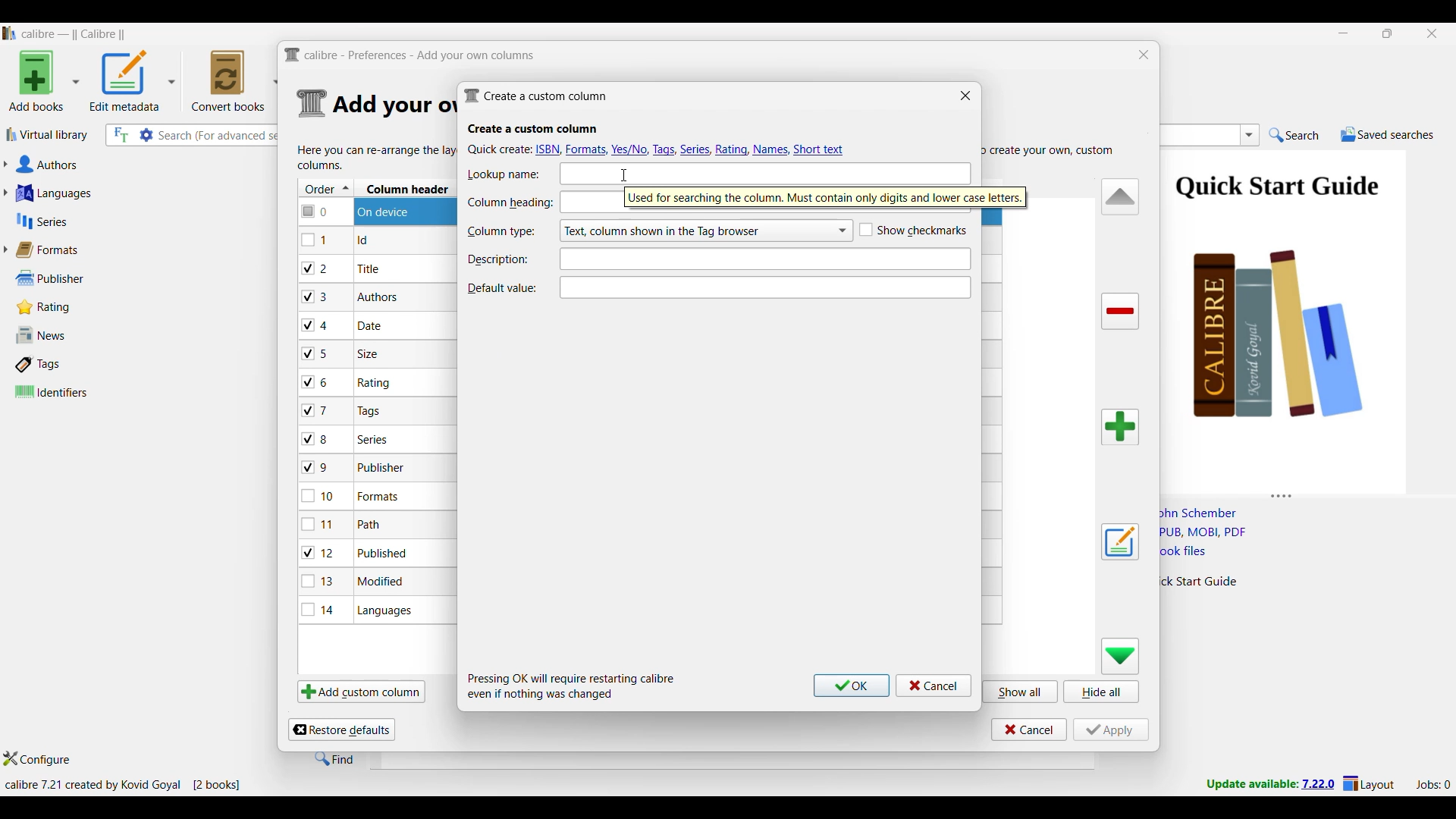 This screenshot has height=819, width=1456. What do you see at coordinates (235, 80) in the screenshot?
I see `Convert books options` at bounding box center [235, 80].